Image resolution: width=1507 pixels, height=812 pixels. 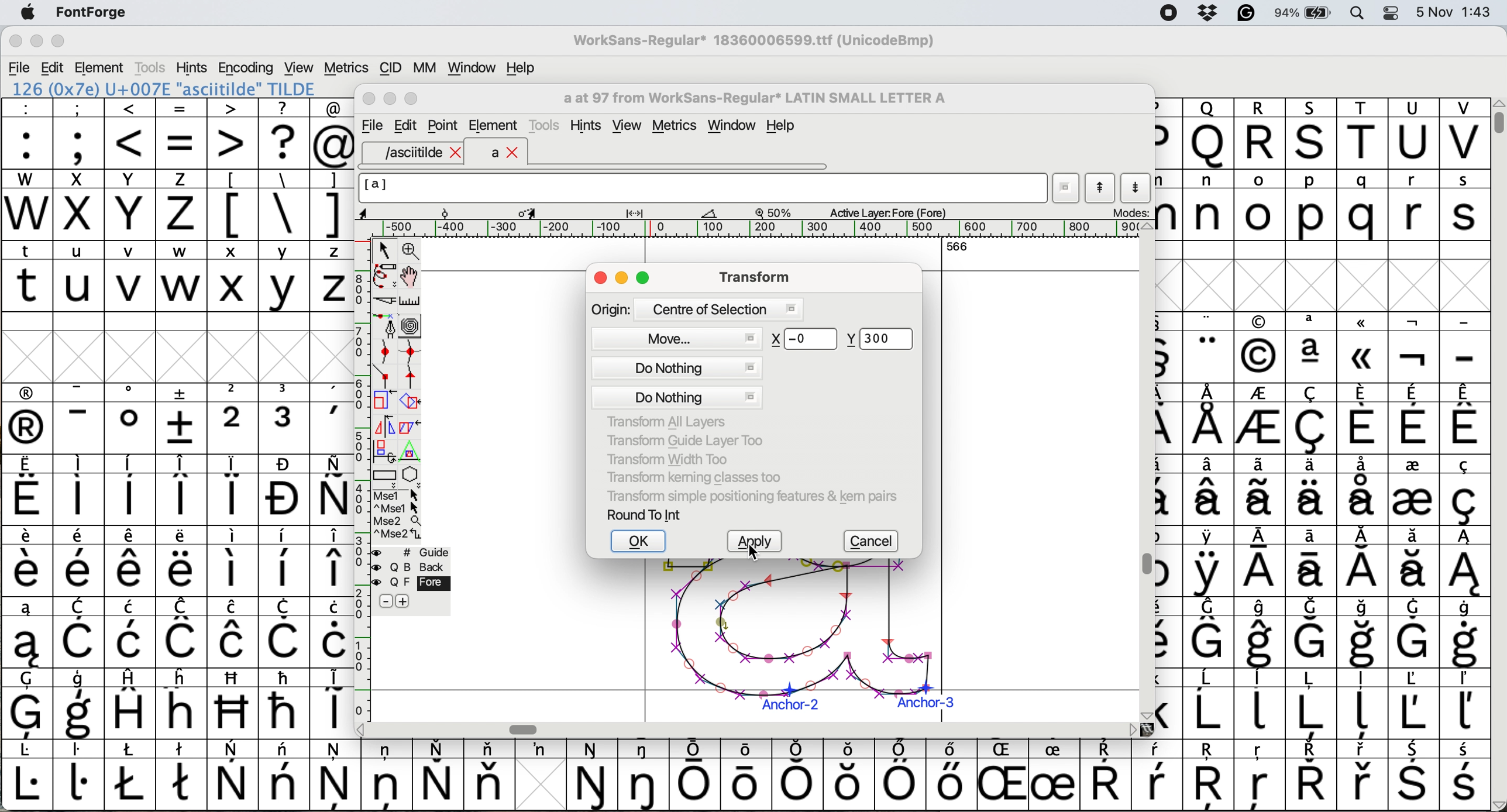 What do you see at coordinates (412, 583) in the screenshot?
I see `fore` at bounding box center [412, 583].